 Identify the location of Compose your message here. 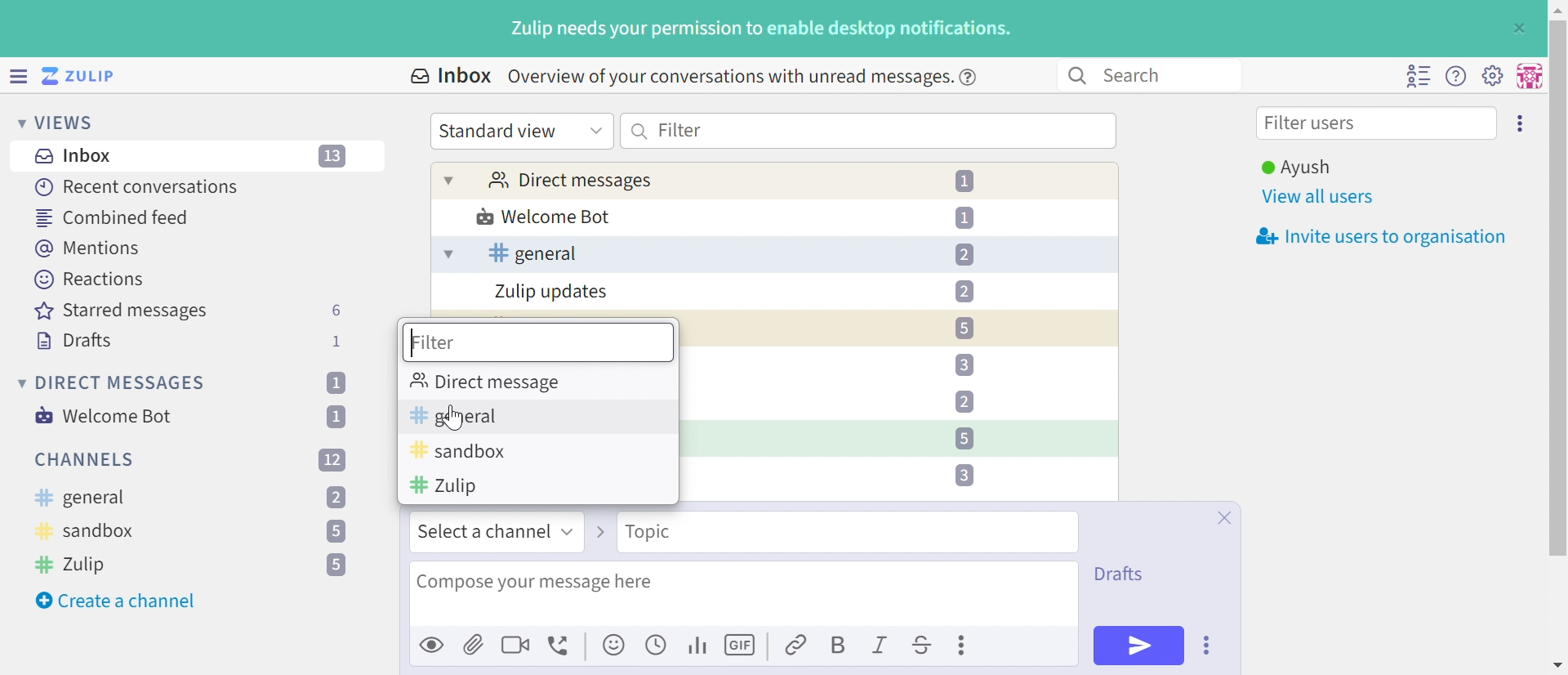
(535, 583).